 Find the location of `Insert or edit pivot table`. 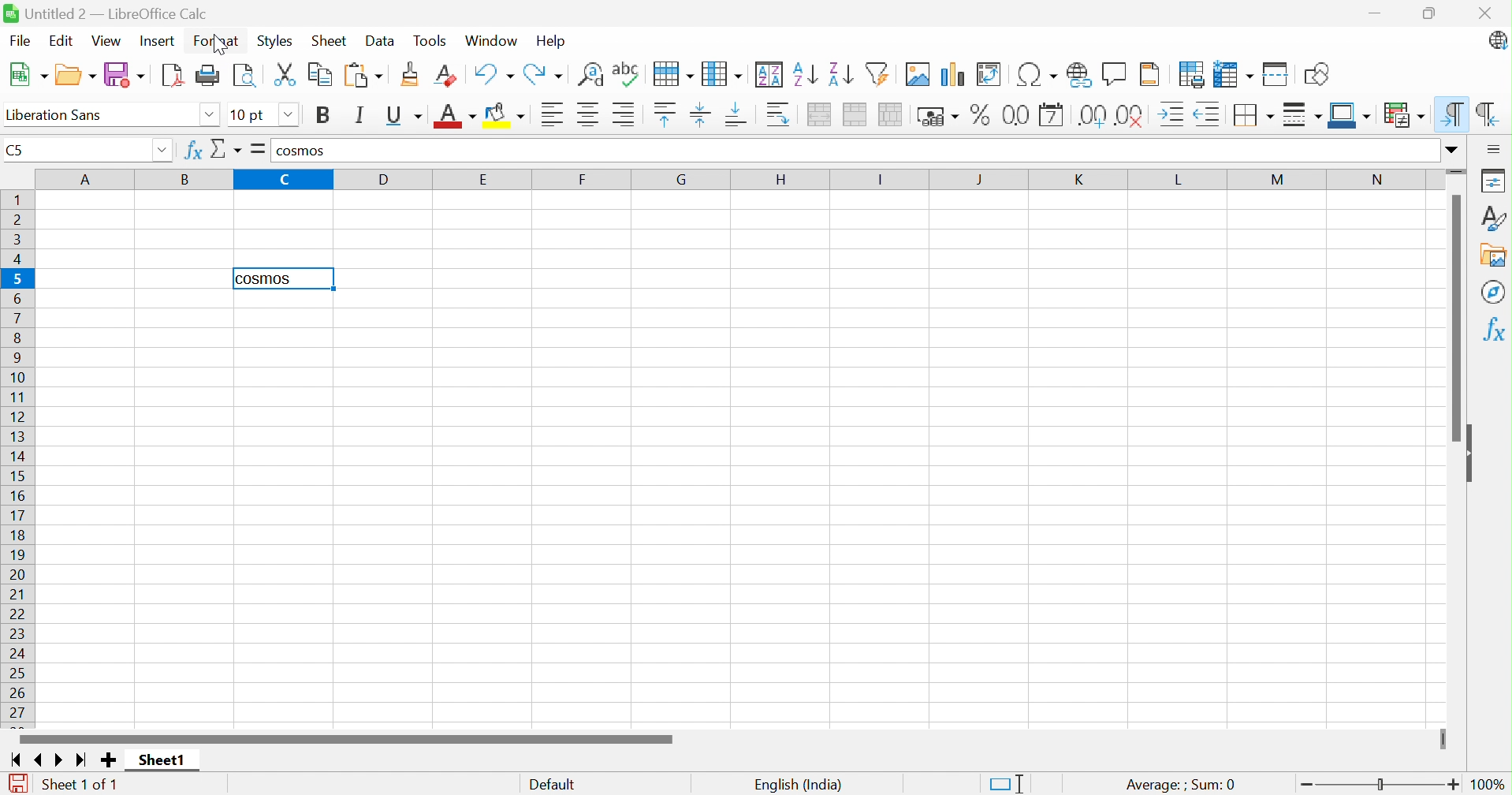

Insert or edit pivot table is located at coordinates (989, 74).